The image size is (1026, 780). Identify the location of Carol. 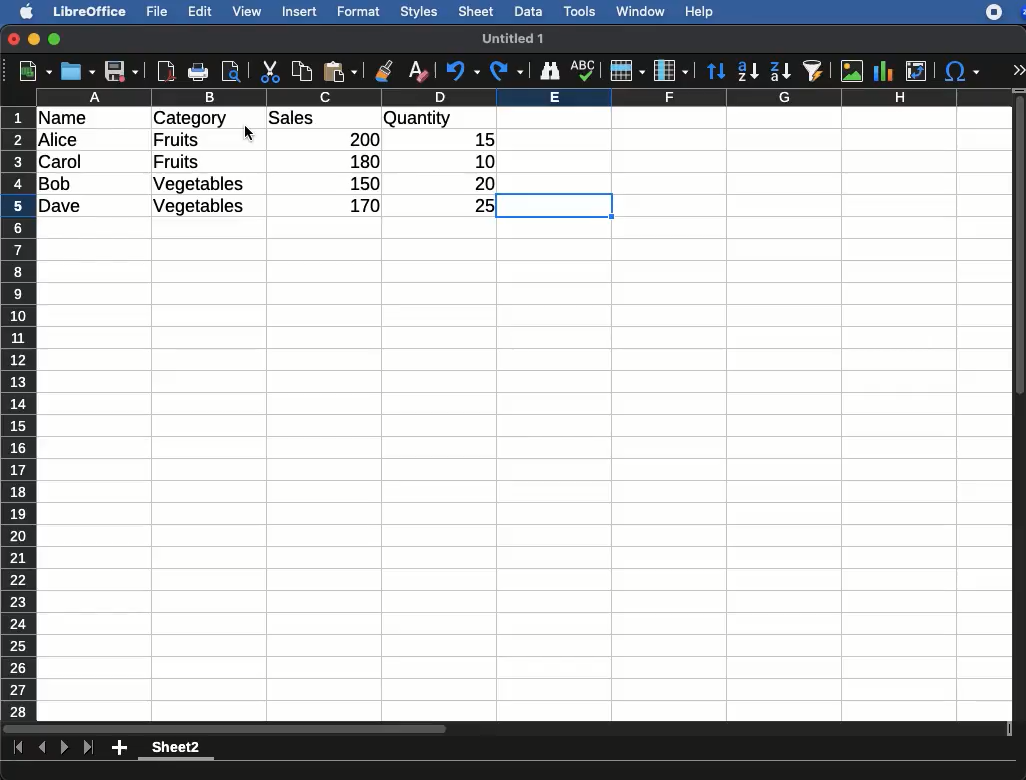
(77, 163).